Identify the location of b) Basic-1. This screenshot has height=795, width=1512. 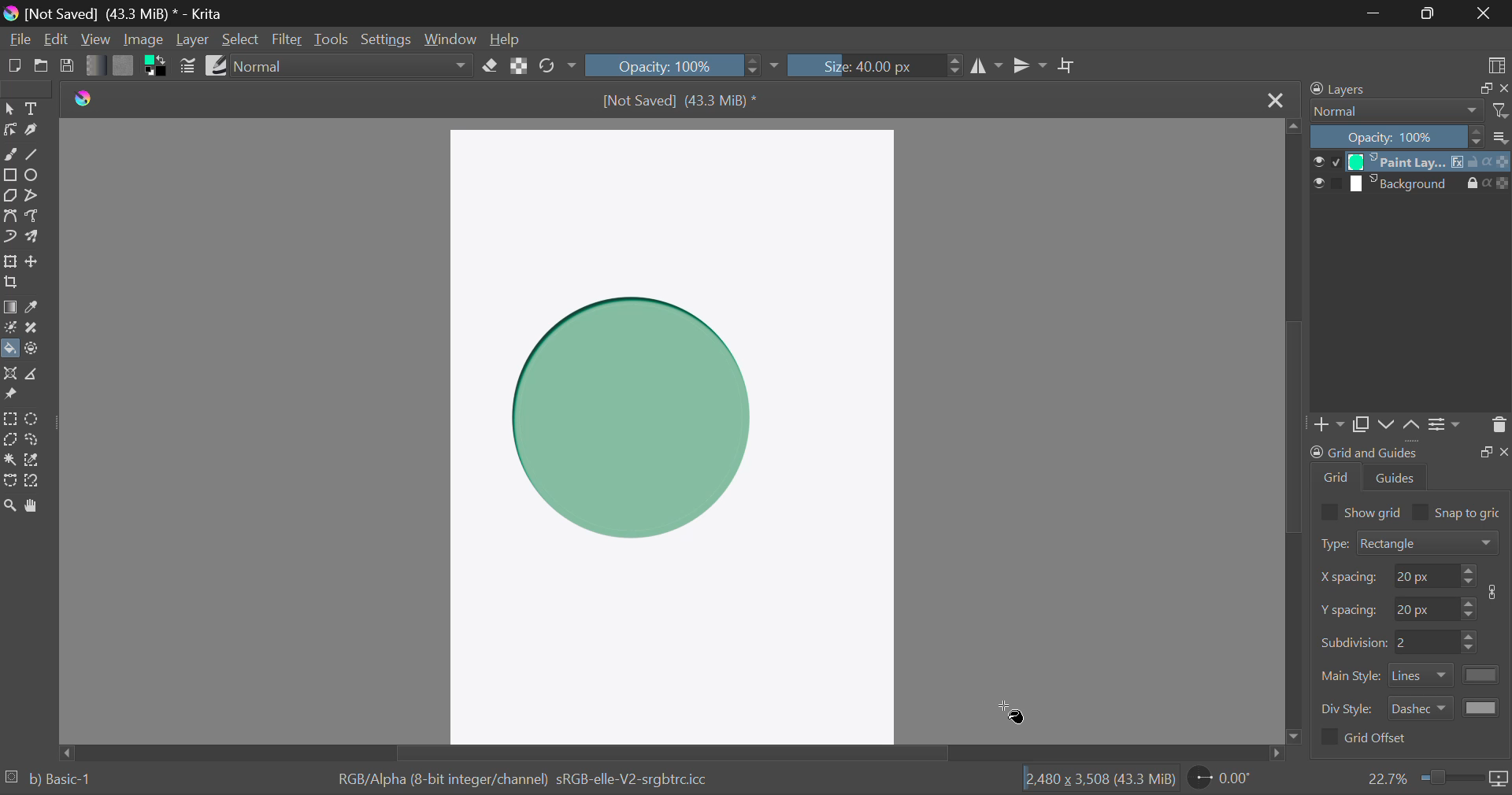
(70, 781).